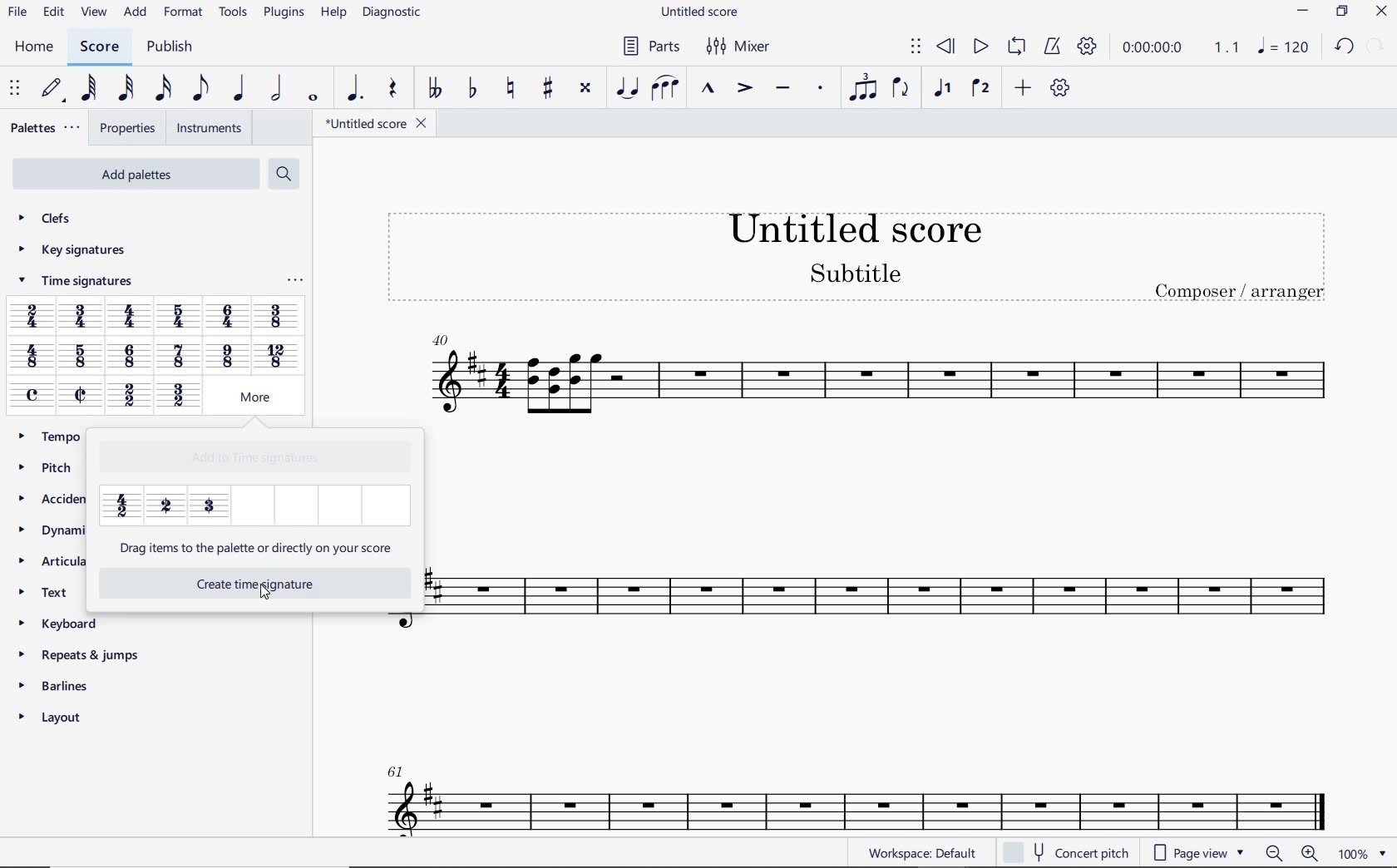 The width and height of the screenshot is (1397, 868). What do you see at coordinates (257, 549) in the screenshot?
I see `drag items to the palette or directly on your score` at bounding box center [257, 549].